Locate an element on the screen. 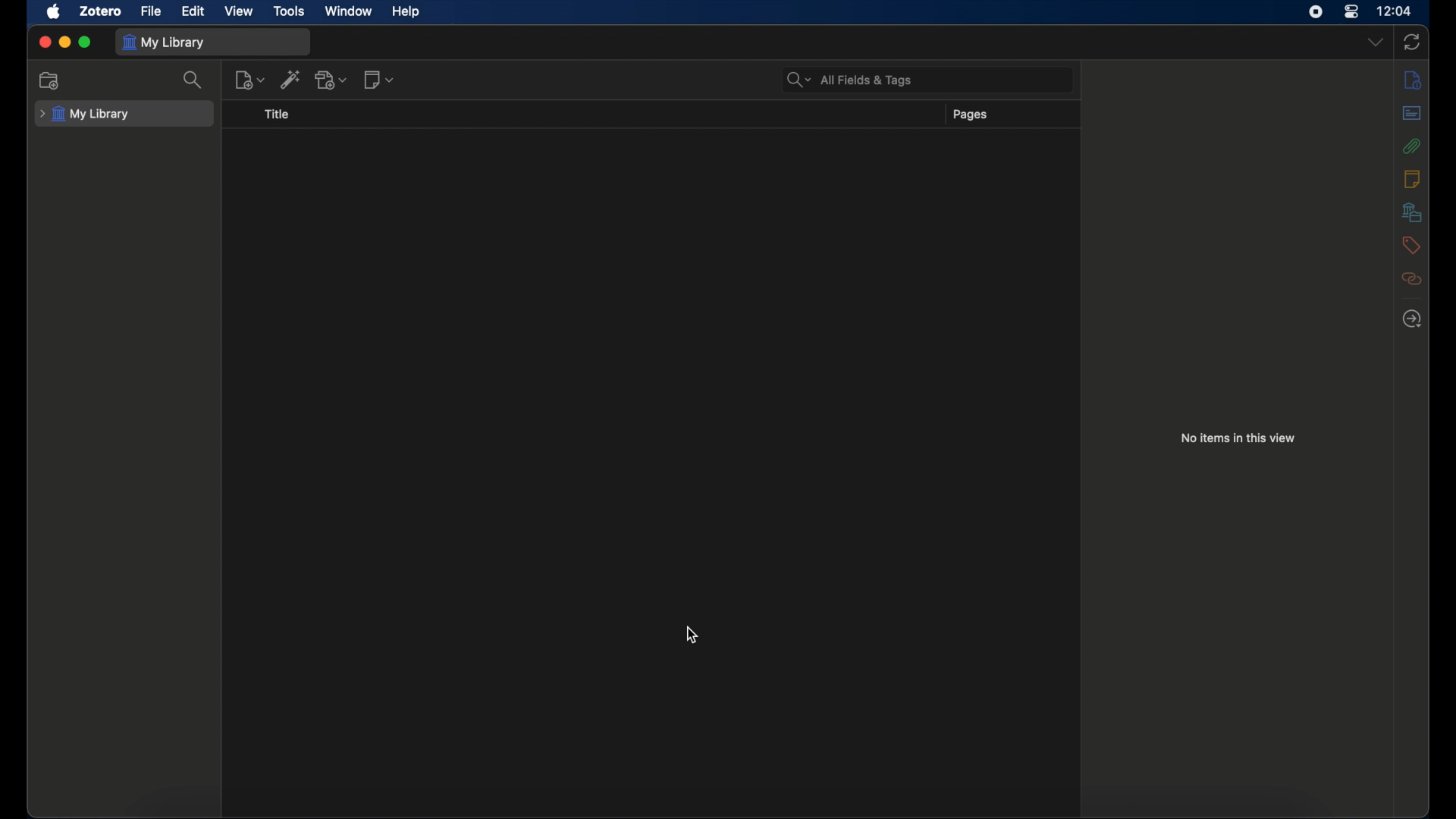 The height and width of the screenshot is (819, 1456). locate is located at coordinates (1412, 319).